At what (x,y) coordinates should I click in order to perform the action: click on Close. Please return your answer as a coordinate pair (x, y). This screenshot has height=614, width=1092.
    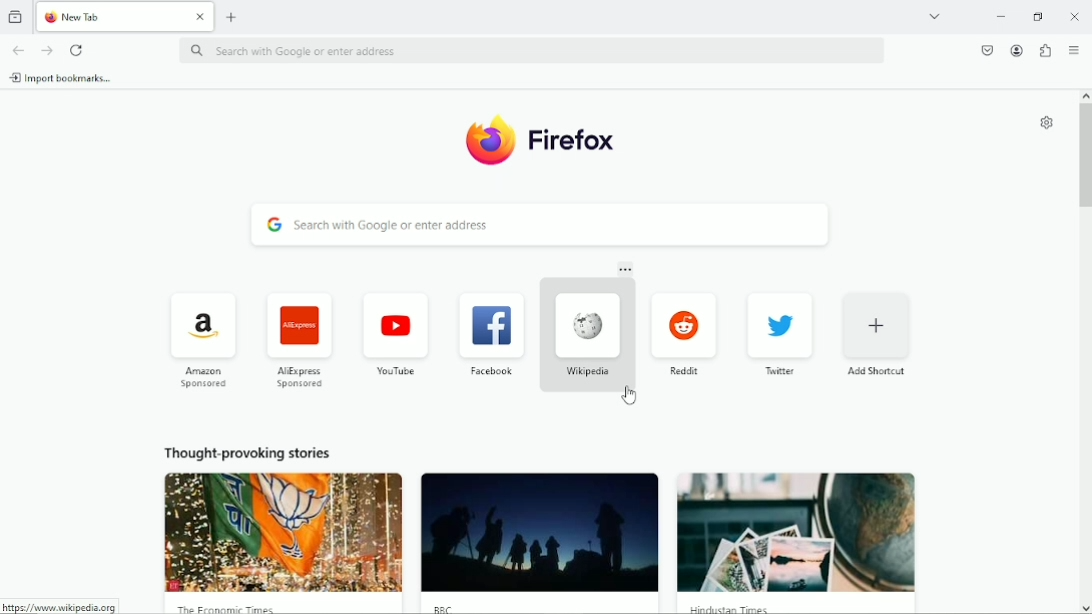
    Looking at the image, I should click on (1073, 15).